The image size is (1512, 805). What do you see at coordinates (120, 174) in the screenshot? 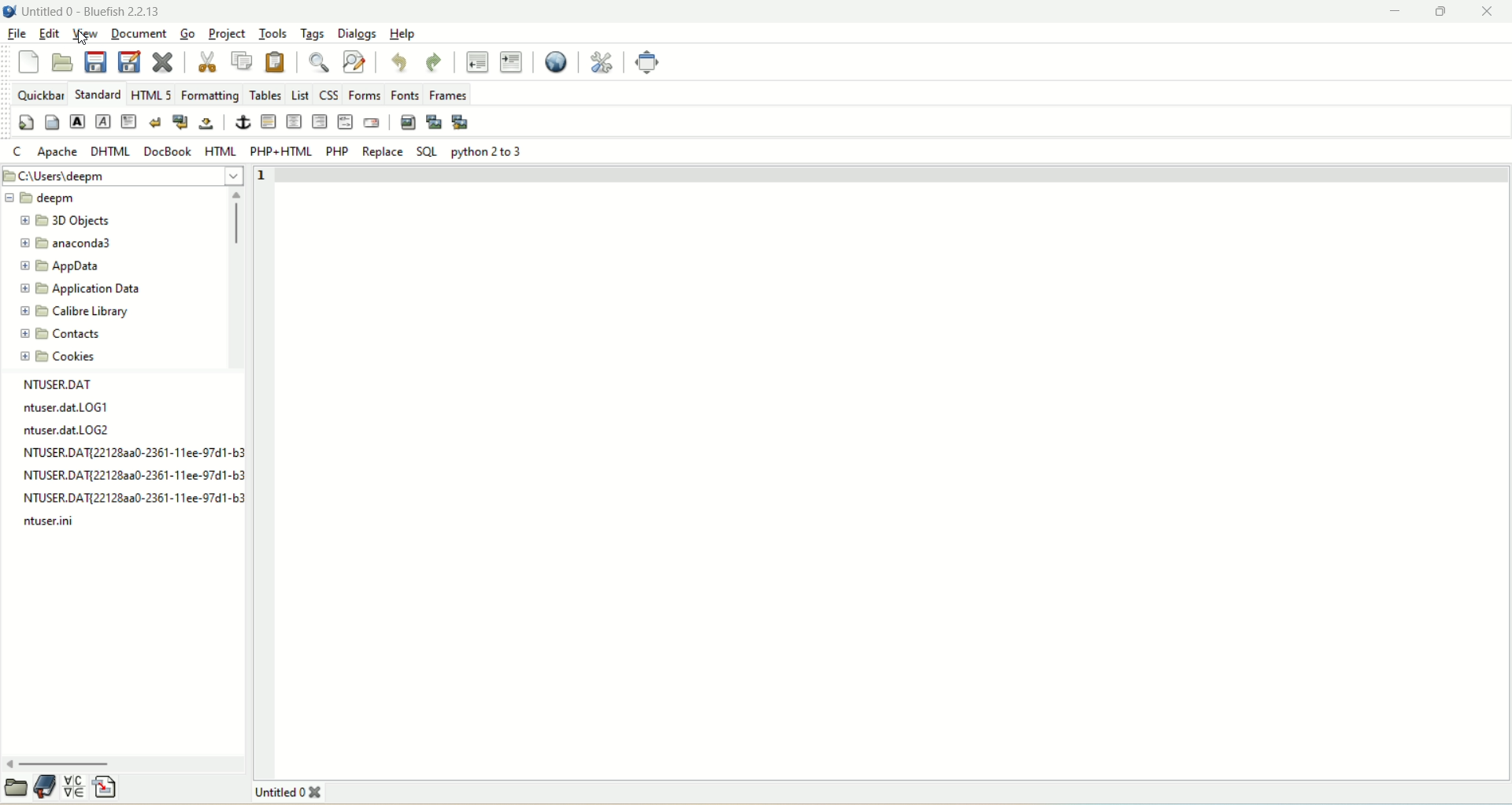
I see `location` at bounding box center [120, 174].